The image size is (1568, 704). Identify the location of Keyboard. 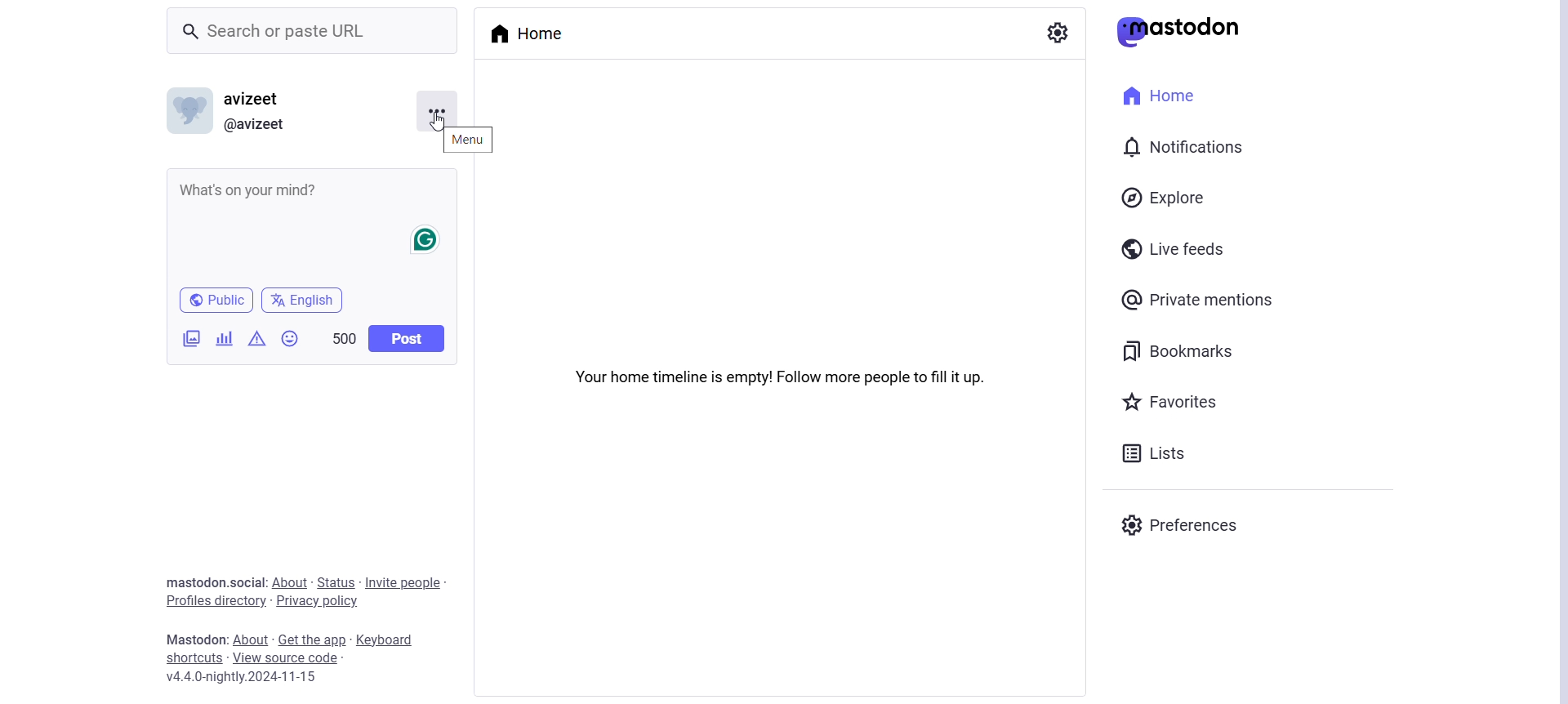
(390, 639).